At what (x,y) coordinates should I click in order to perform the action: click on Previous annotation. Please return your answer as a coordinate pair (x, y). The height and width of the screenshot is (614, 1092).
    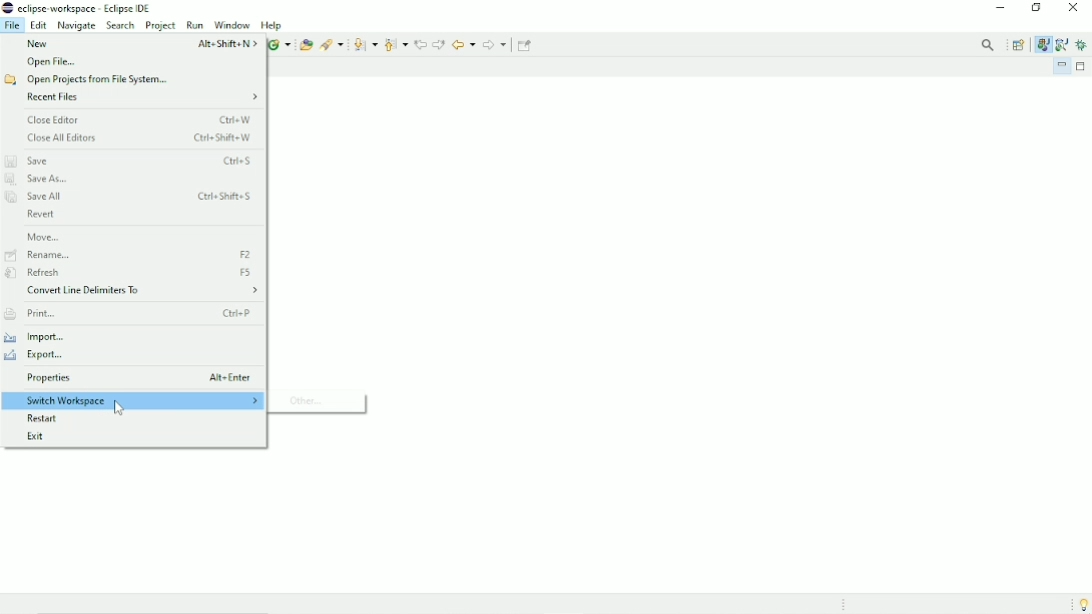
    Looking at the image, I should click on (395, 44).